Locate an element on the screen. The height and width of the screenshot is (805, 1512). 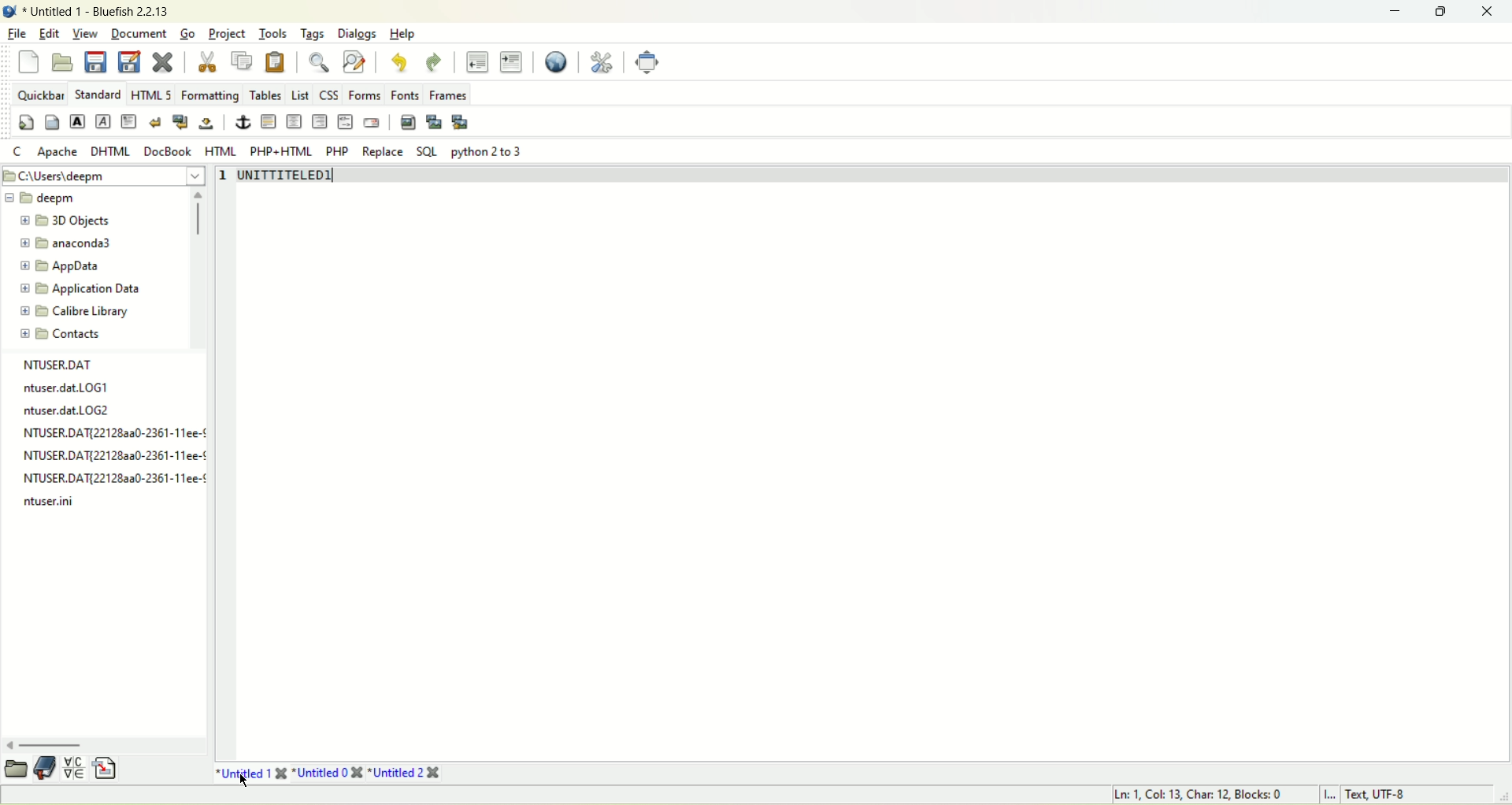
cursor is located at coordinates (247, 781).